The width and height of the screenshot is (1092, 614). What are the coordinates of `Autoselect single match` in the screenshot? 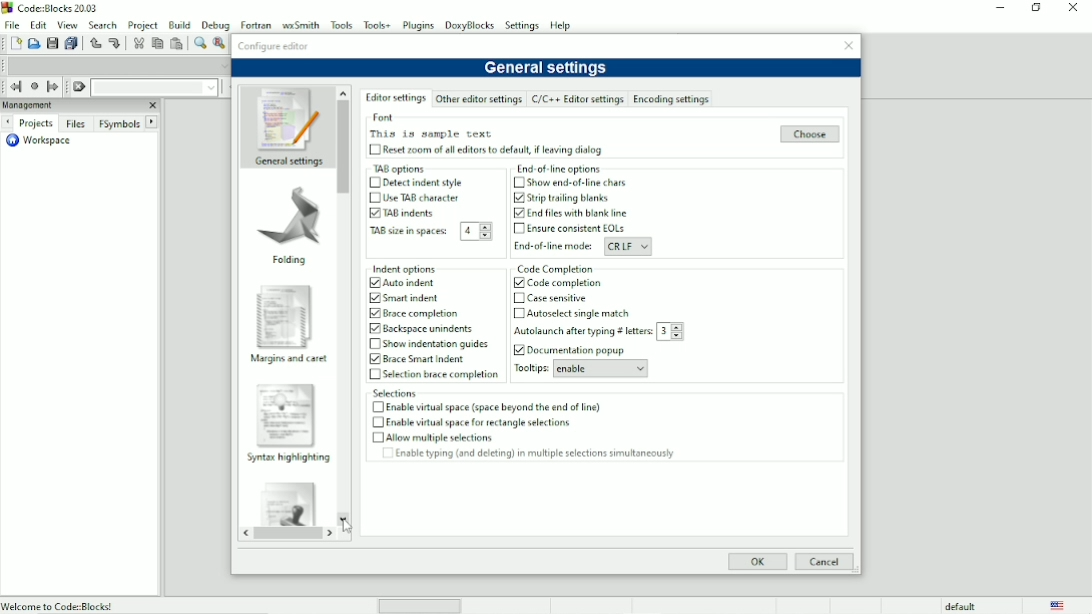 It's located at (578, 314).